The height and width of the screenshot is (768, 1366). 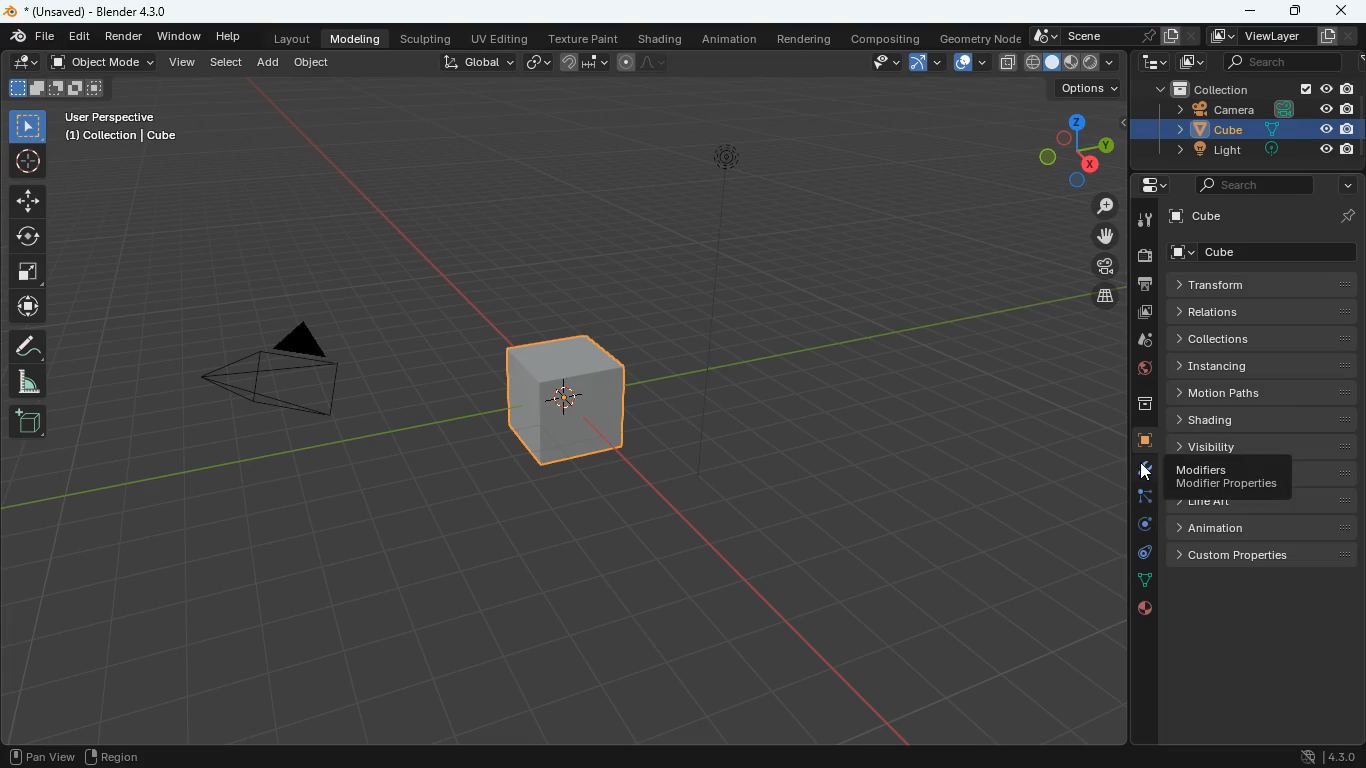 I want to click on archive, so click(x=1135, y=405).